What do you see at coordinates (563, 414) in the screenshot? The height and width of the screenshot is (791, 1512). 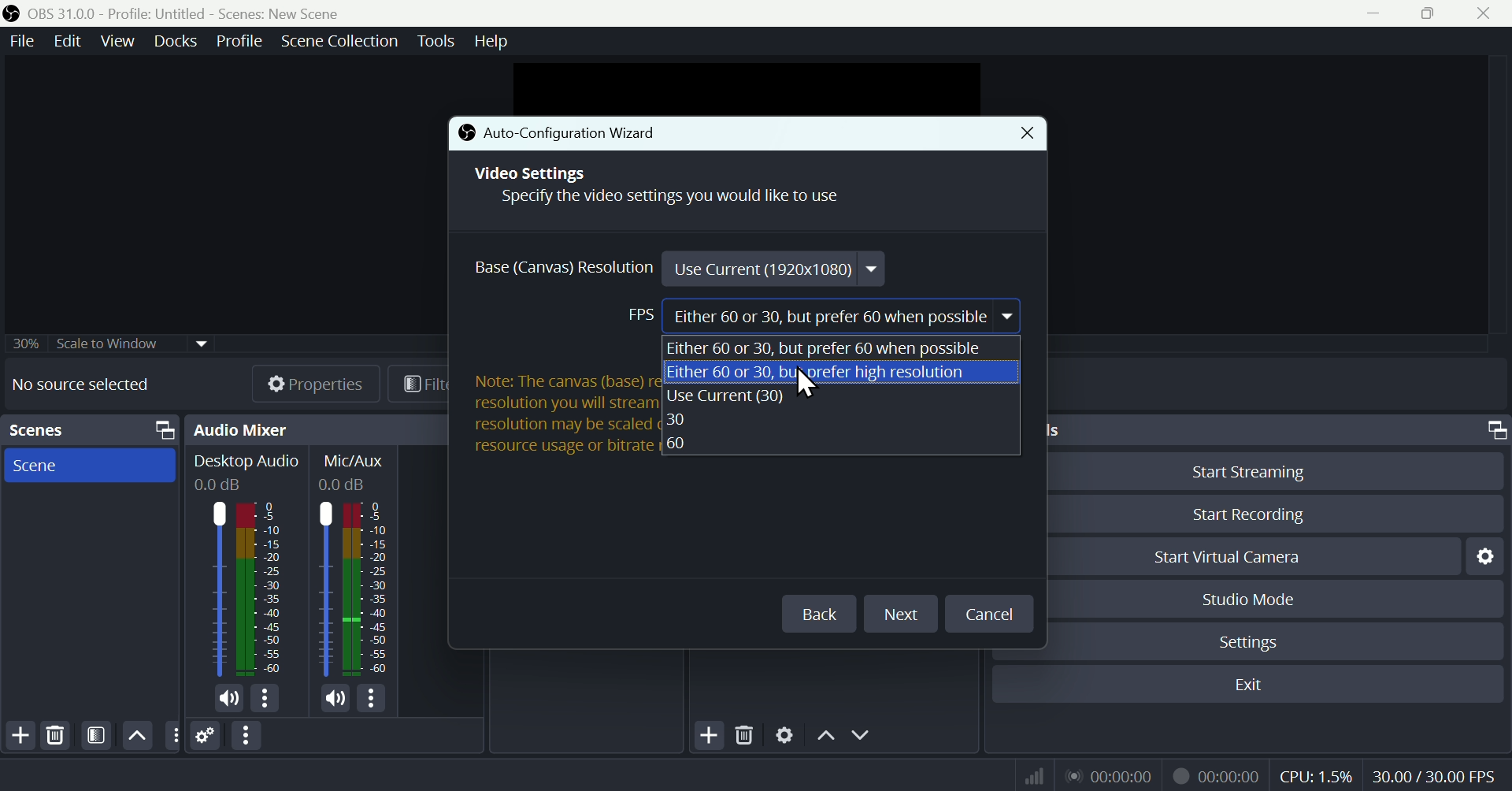 I see `Note: The canvas (base) resolution is not necessarily the same as the
resolution you will stream or record with. Your actual stream/recording
resolution may be scaled down from the canvas resolution to reduce
resource usage or bitrate requirements.` at bounding box center [563, 414].